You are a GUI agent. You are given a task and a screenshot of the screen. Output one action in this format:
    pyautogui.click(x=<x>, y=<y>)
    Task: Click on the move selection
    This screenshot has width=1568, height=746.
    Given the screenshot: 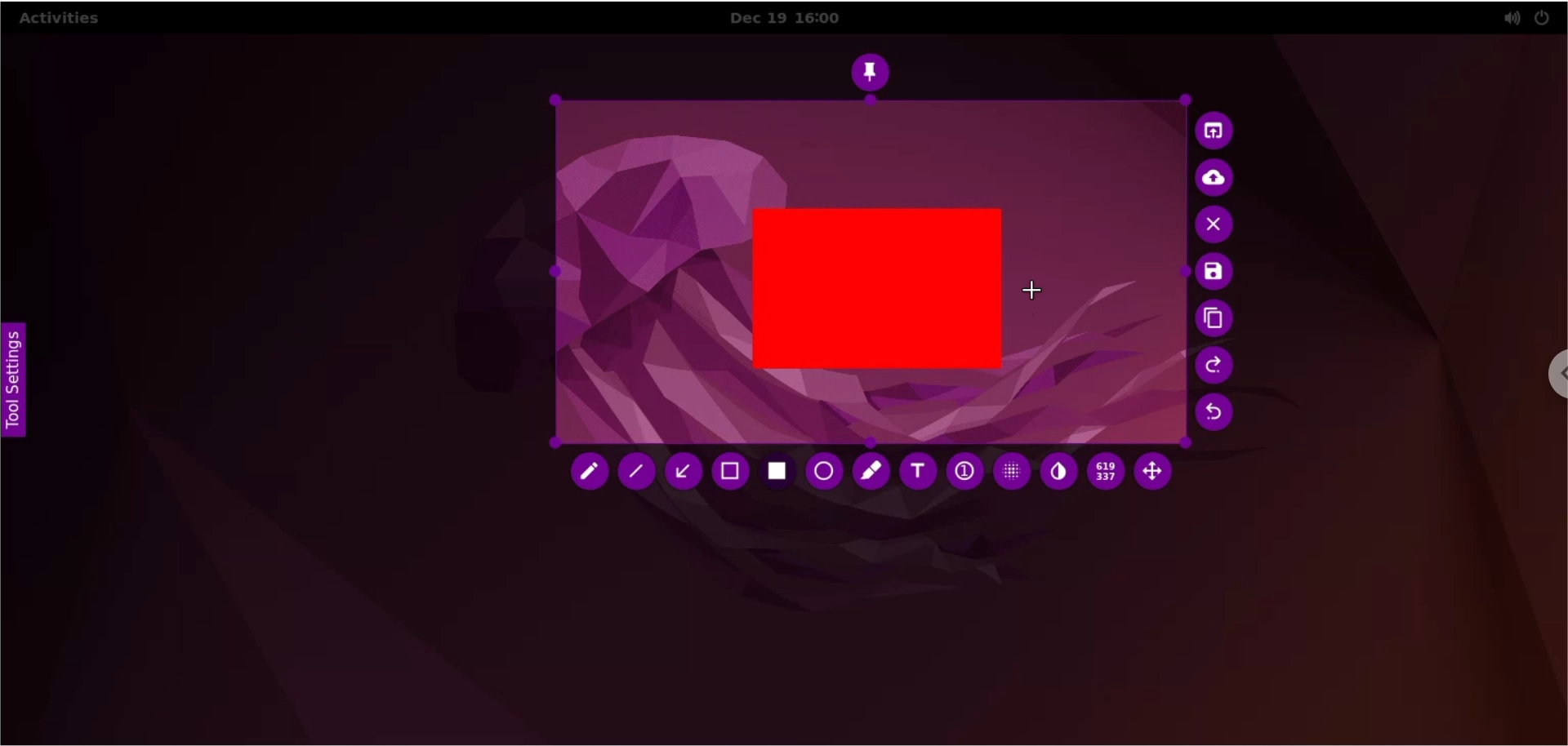 What is the action you would take?
    pyautogui.click(x=1158, y=474)
    